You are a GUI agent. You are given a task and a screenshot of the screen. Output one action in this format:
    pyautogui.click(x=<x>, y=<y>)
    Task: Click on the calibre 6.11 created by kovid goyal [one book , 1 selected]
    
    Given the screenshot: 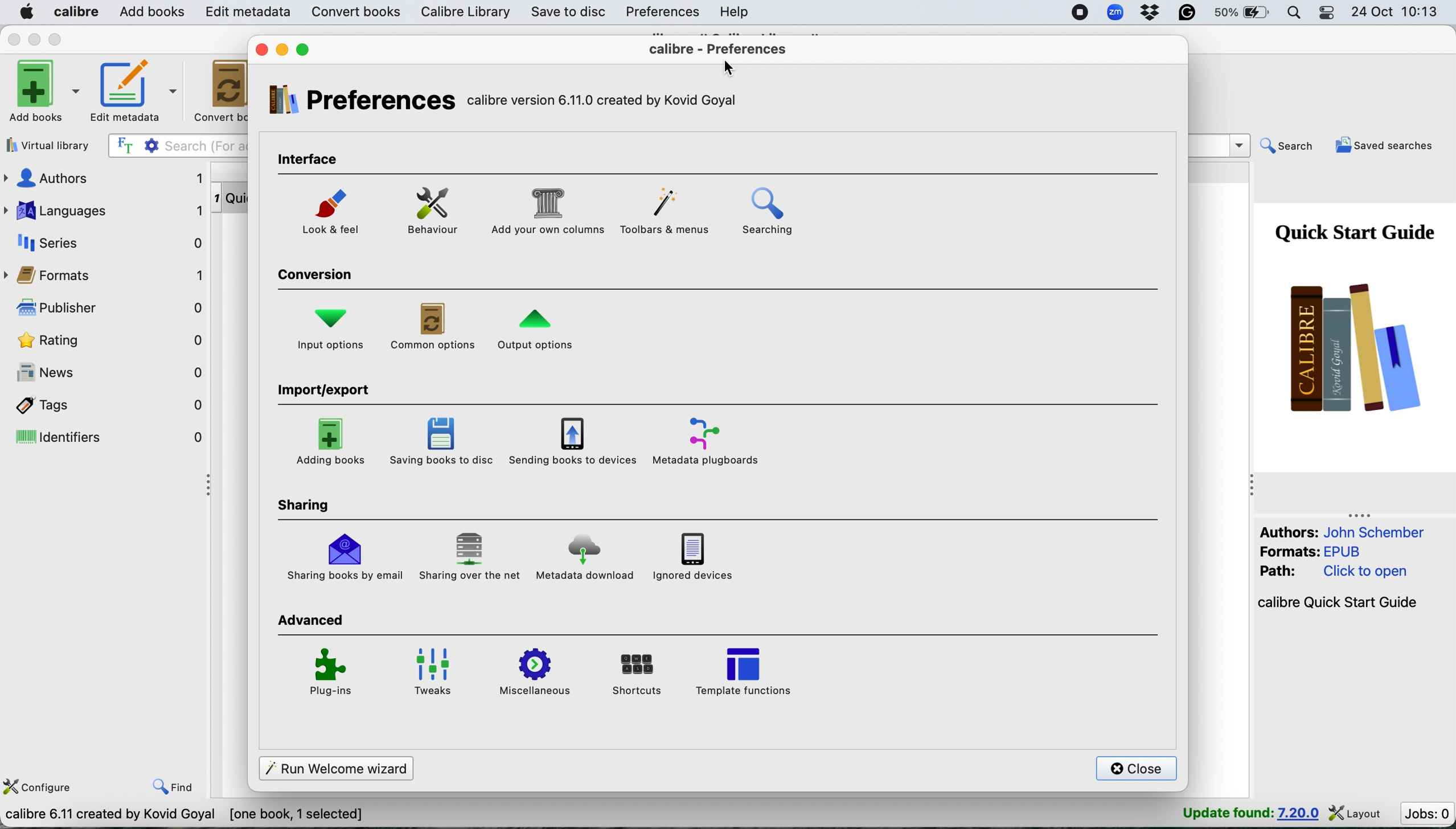 What is the action you would take?
    pyautogui.click(x=190, y=814)
    